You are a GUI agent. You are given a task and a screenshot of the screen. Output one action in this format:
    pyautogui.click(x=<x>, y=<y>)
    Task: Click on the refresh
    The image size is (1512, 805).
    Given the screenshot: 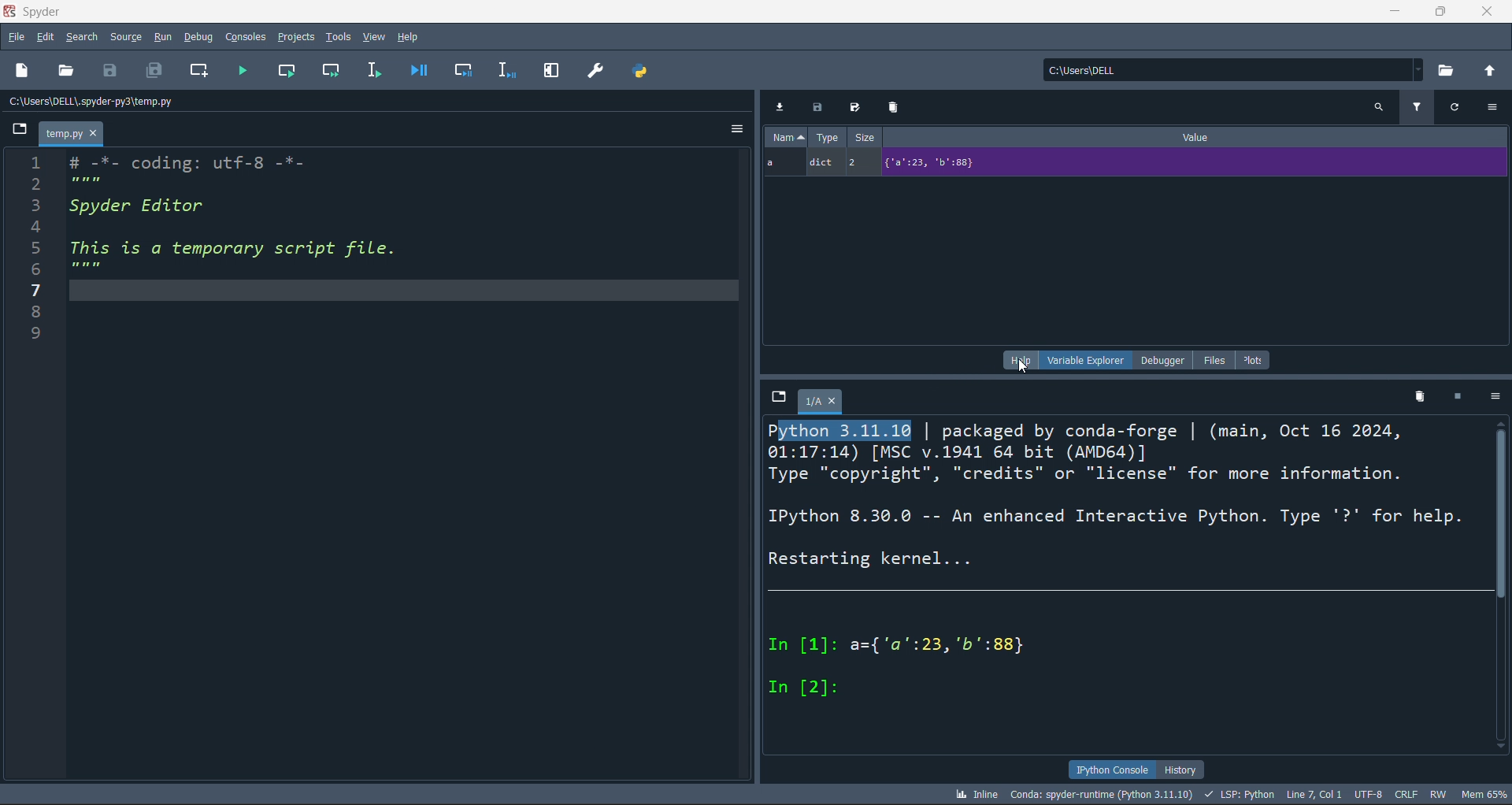 What is the action you would take?
    pyautogui.click(x=1452, y=109)
    